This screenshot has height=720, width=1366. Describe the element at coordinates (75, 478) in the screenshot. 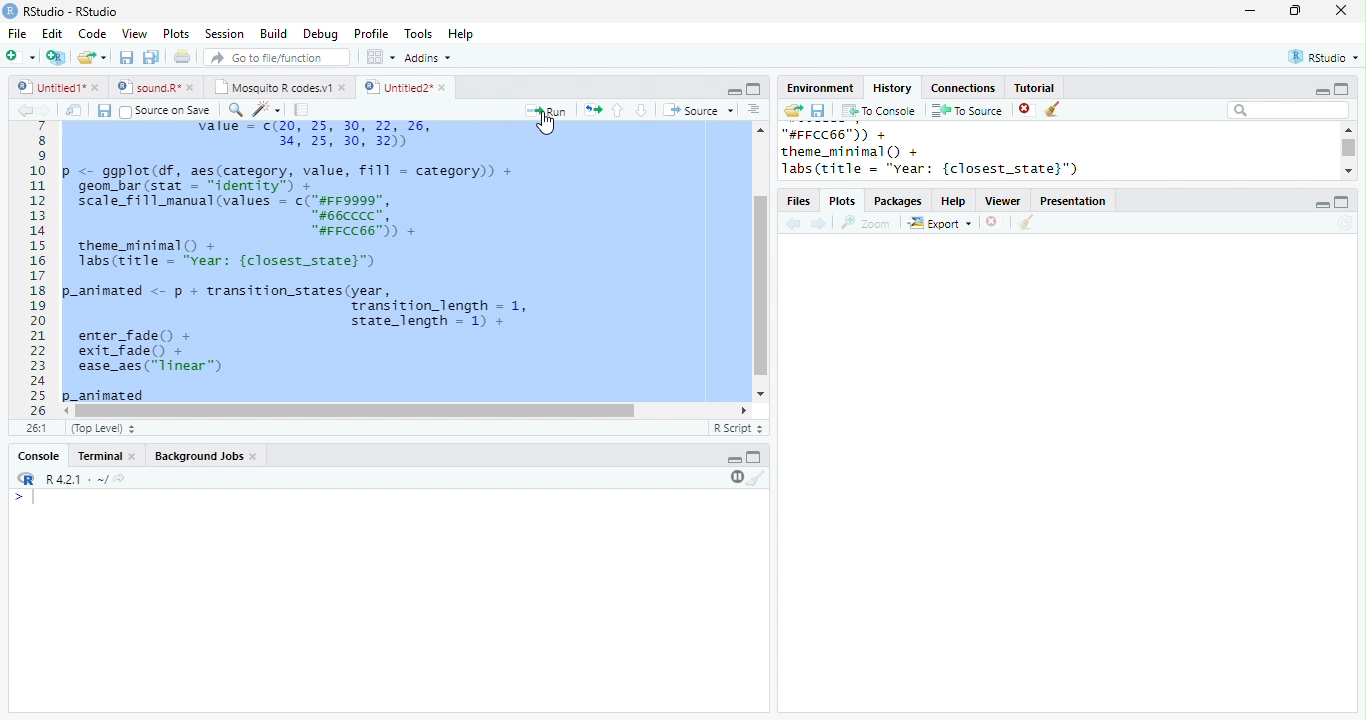

I see `R.4.2.1 . ~` at that location.